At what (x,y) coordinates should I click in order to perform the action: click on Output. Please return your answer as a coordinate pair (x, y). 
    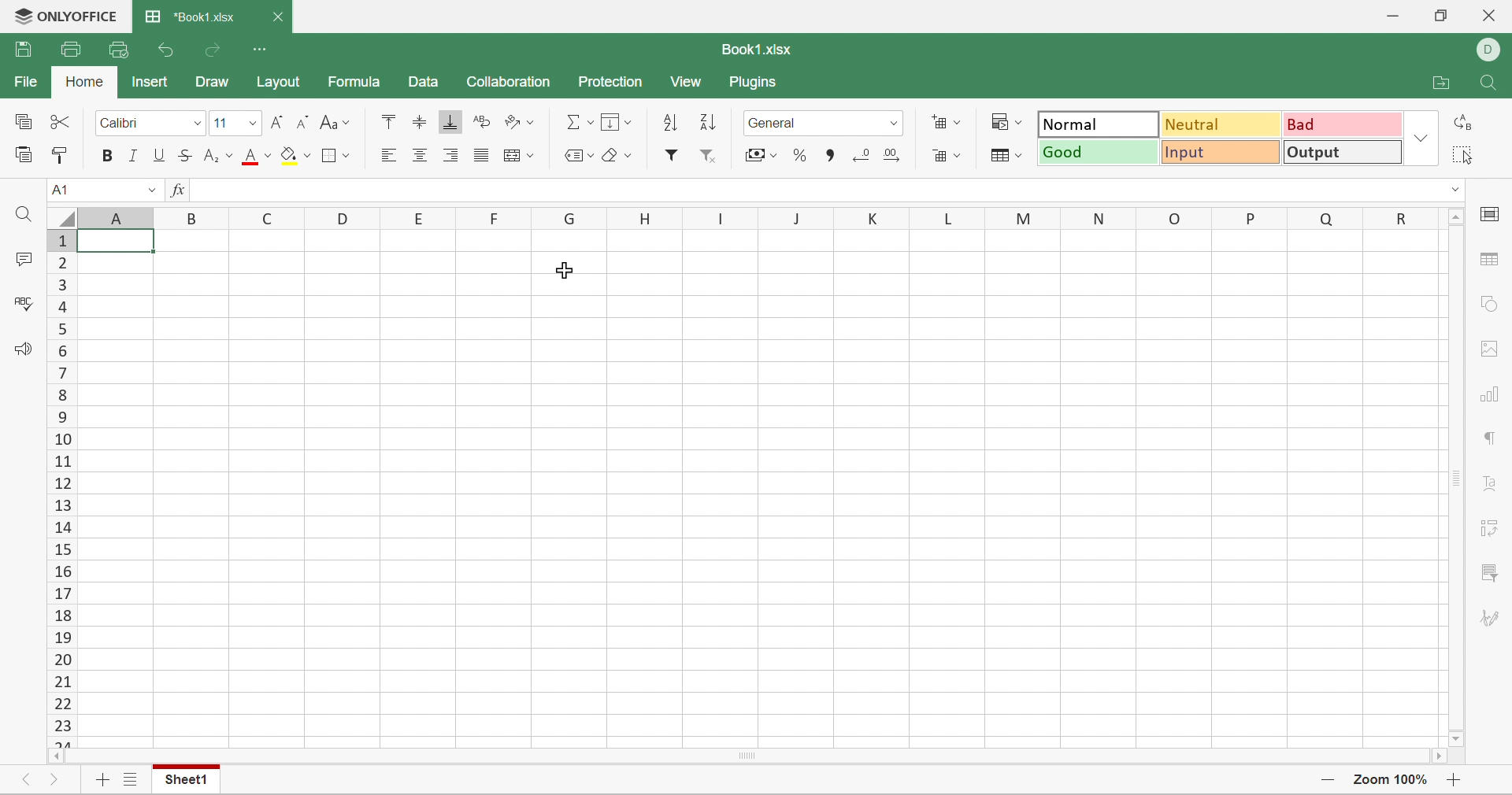
    Looking at the image, I should click on (1340, 151).